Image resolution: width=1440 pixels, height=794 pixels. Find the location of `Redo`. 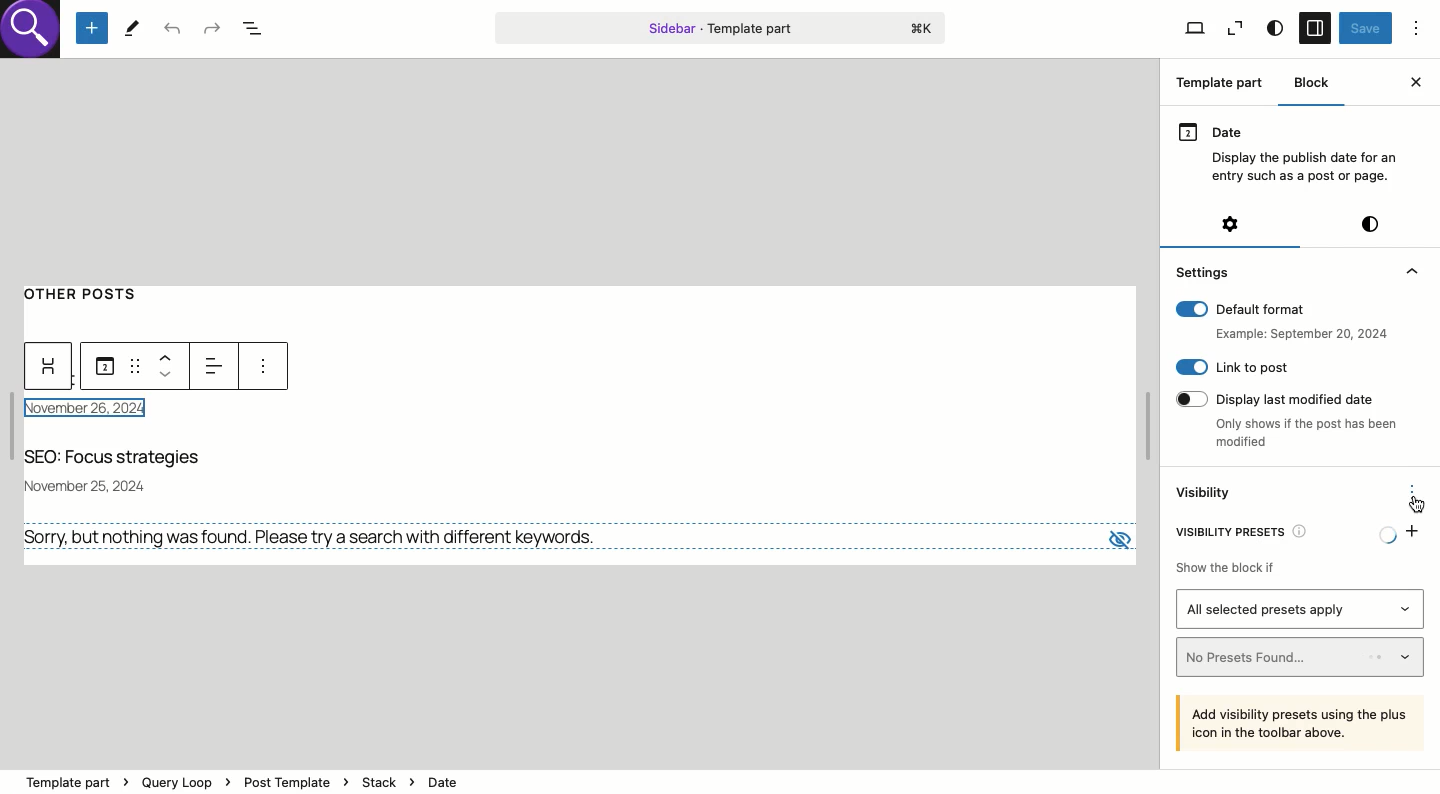

Redo is located at coordinates (211, 27).